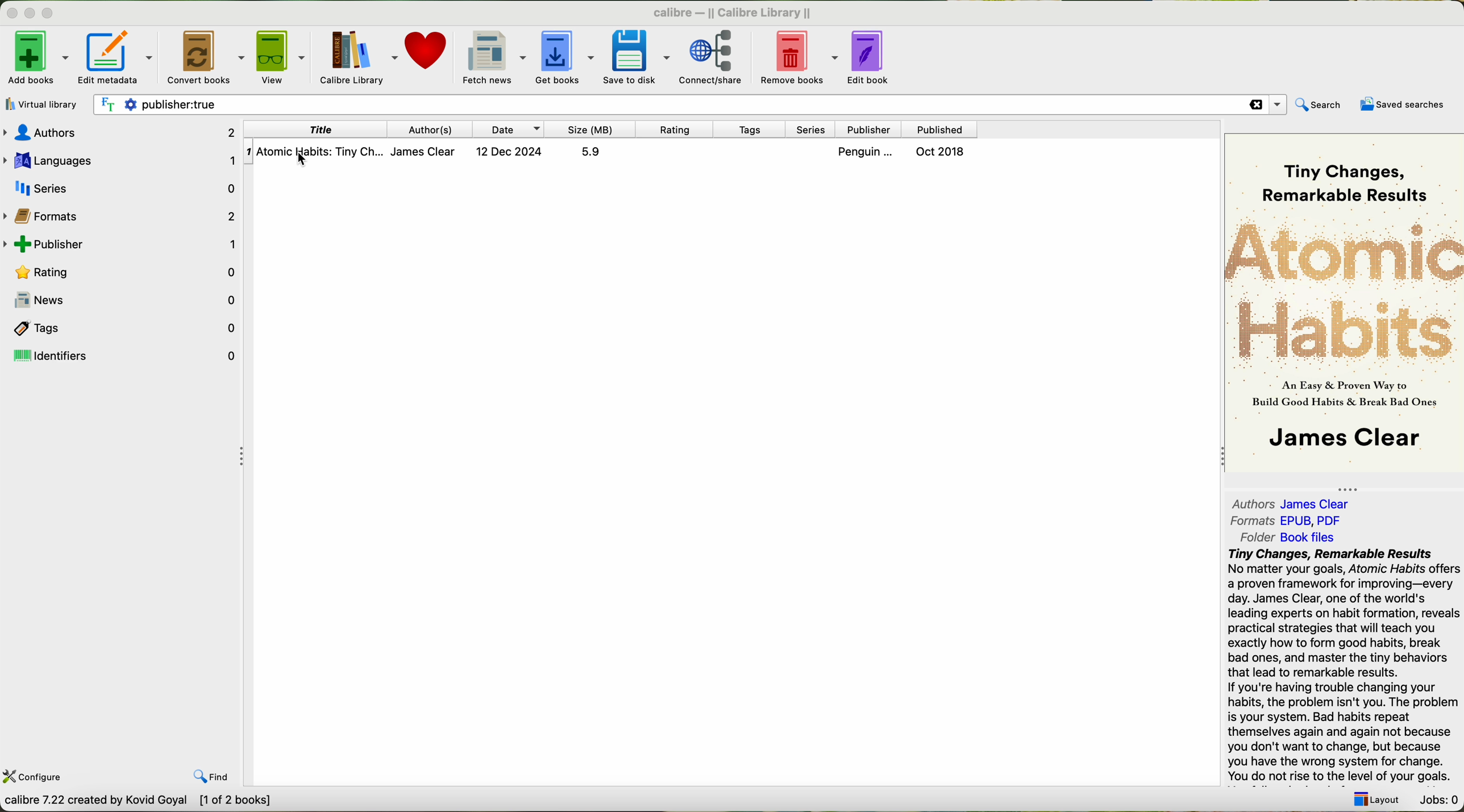 The width and height of the screenshot is (1464, 812). What do you see at coordinates (1286, 522) in the screenshot?
I see `formats` at bounding box center [1286, 522].